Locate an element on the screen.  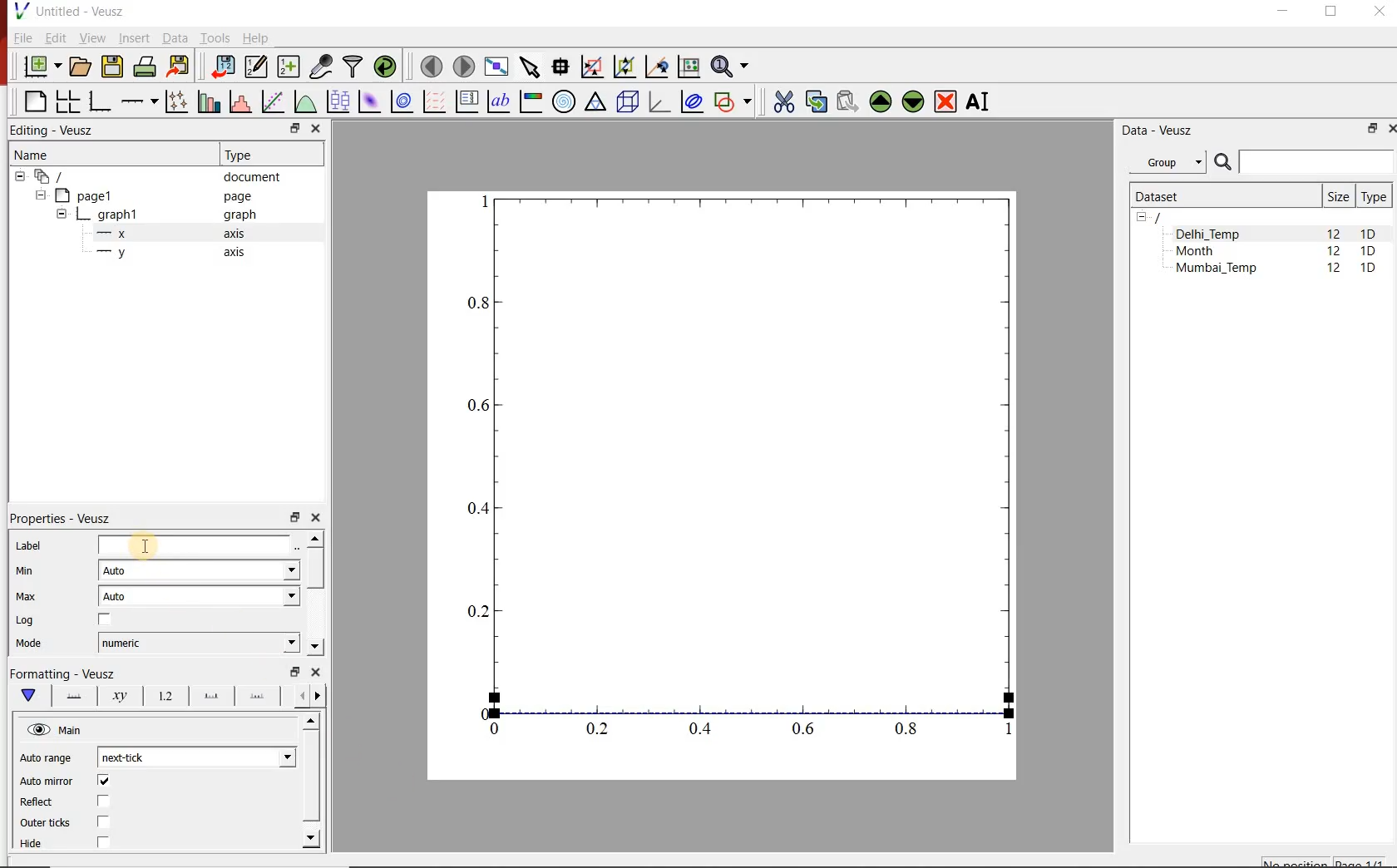
Edit is located at coordinates (54, 37).